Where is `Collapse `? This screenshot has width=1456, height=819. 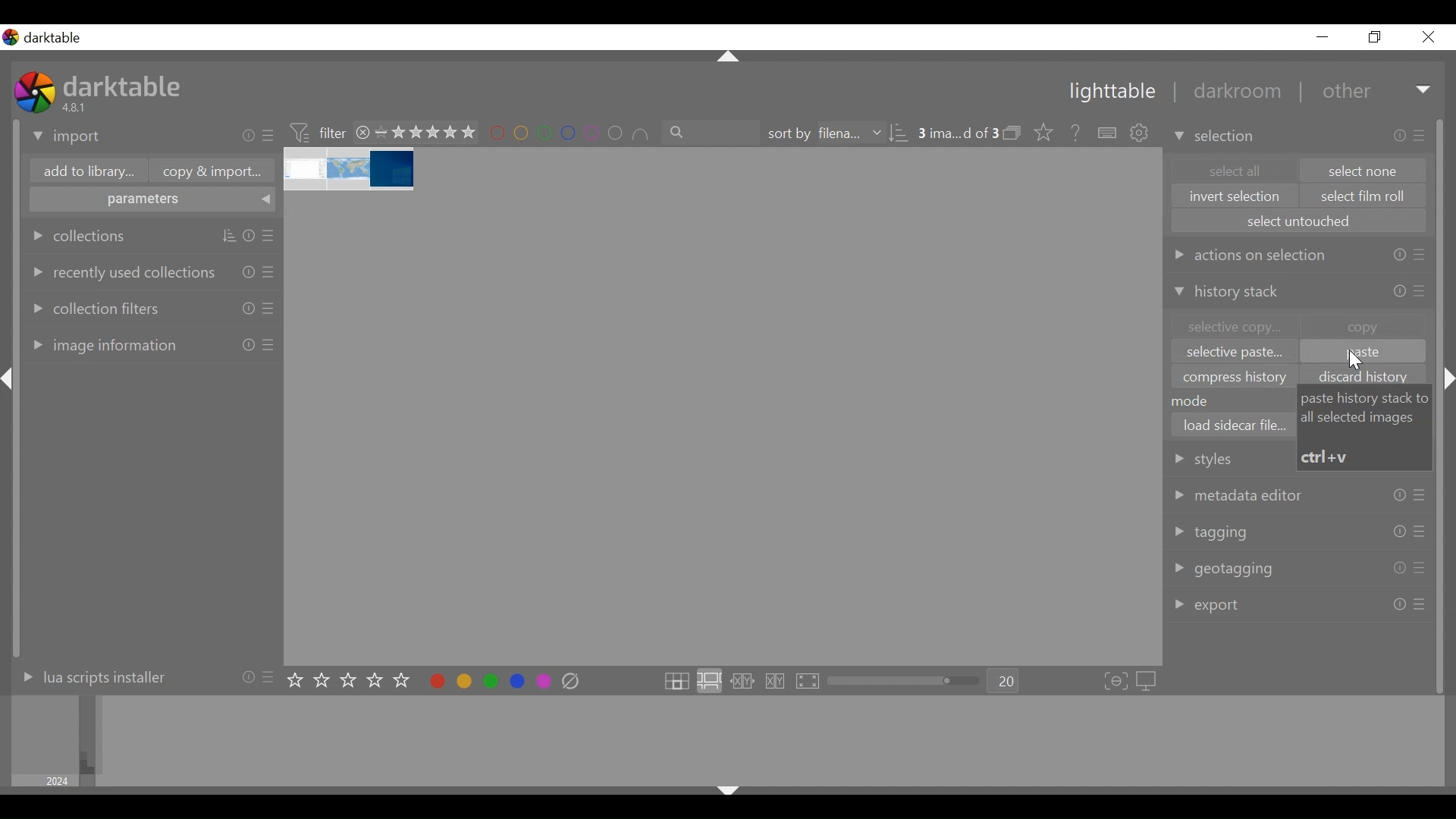 Collapse  is located at coordinates (730, 58).